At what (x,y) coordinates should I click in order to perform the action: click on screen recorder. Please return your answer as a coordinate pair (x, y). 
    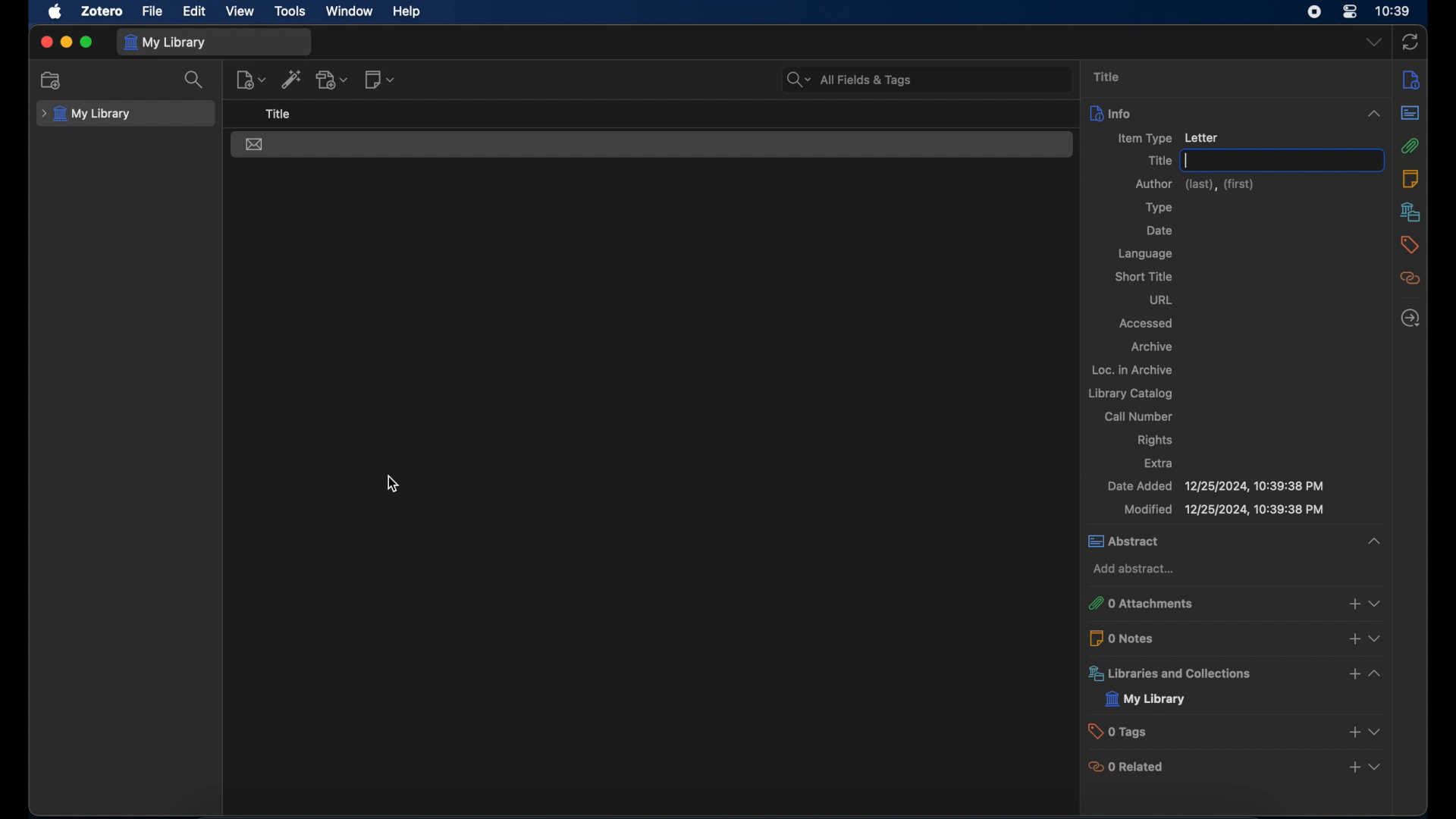
    Looking at the image, I should click on (1314, 12).